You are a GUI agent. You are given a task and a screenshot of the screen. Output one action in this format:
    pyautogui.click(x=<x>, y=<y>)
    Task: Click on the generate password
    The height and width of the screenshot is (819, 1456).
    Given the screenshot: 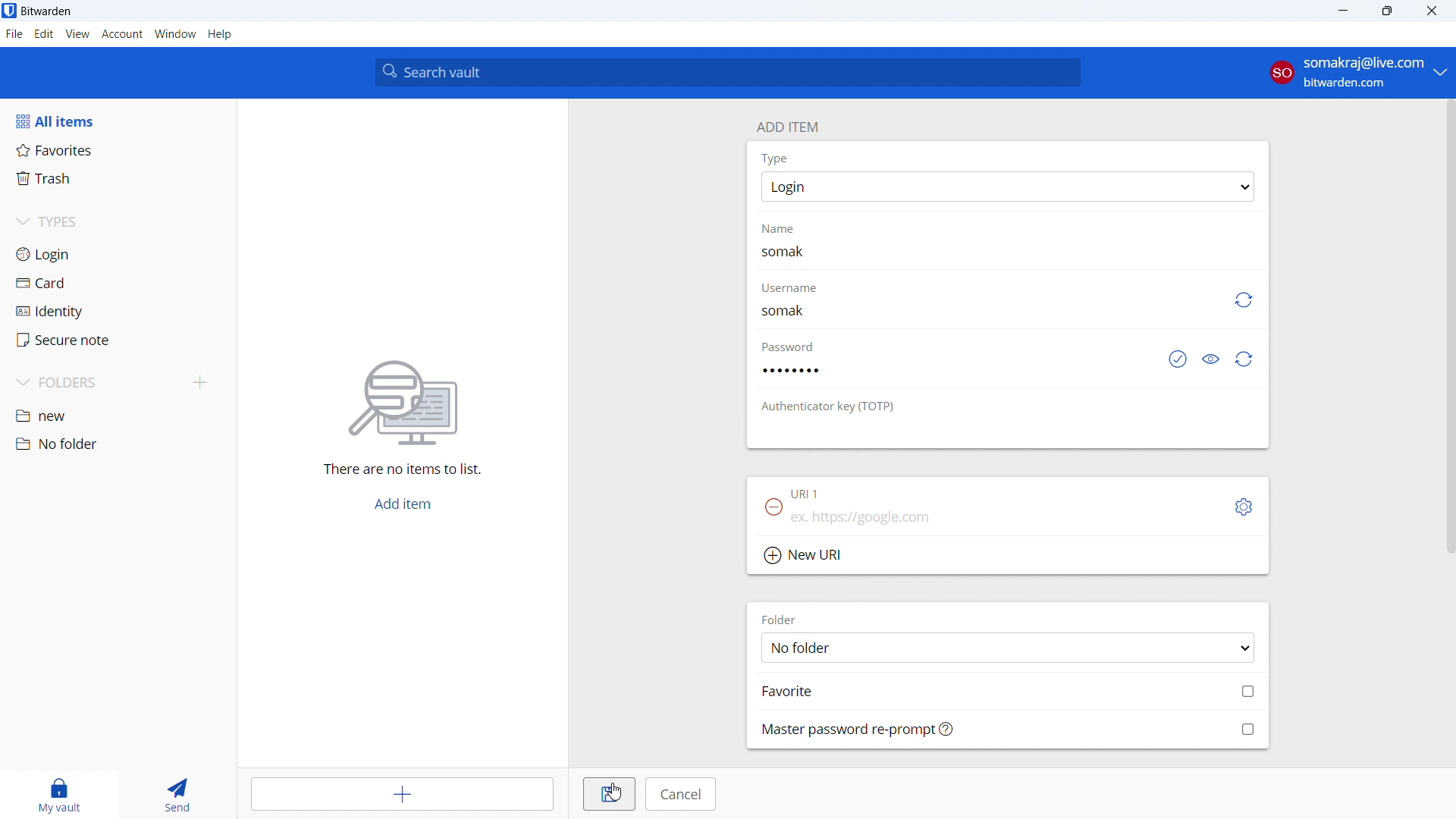 What is the action you would take?
    pyautogui.click(x=1245, y=359)
    